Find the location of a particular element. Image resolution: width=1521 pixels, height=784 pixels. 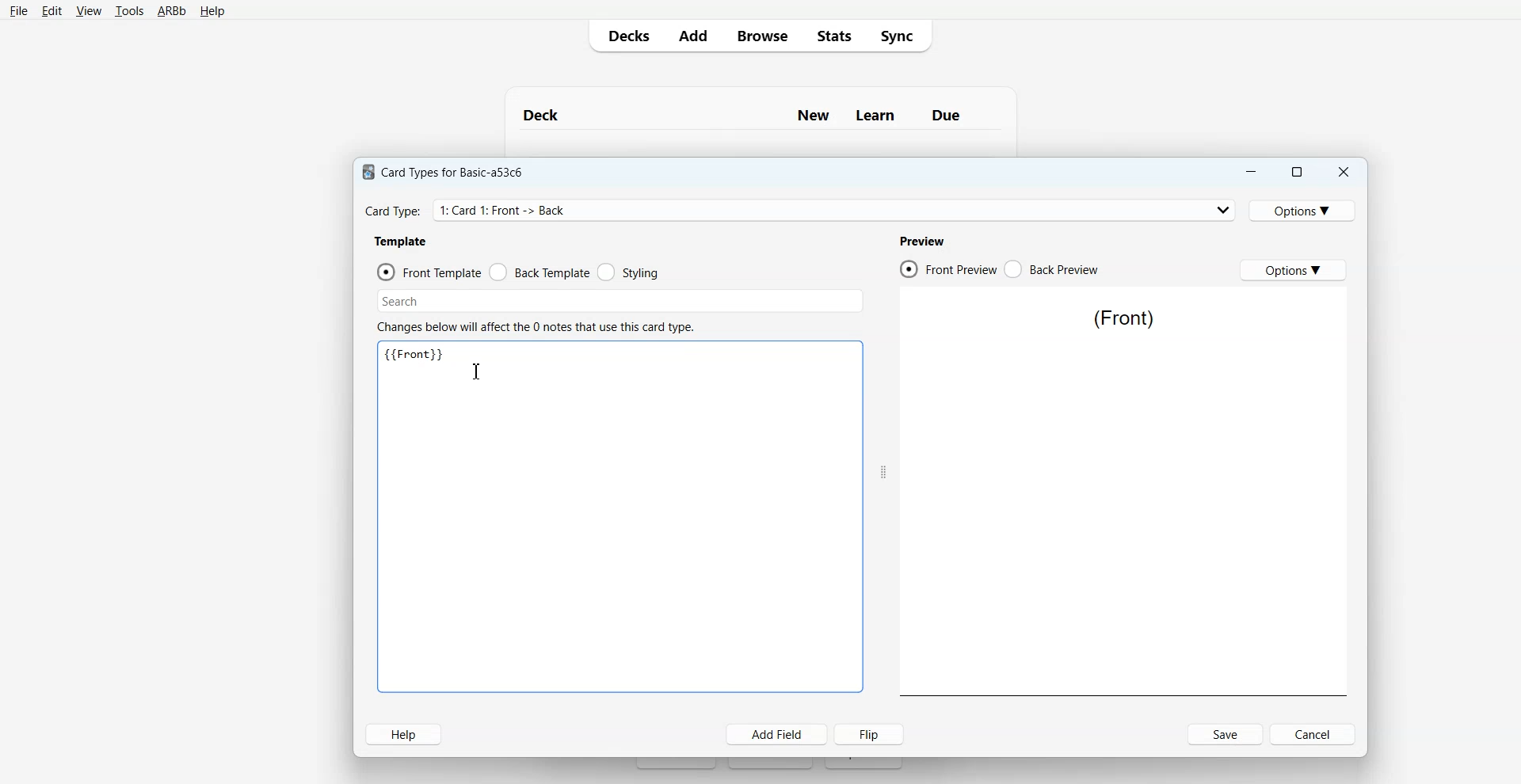

File is located at coordinates (18, 10).